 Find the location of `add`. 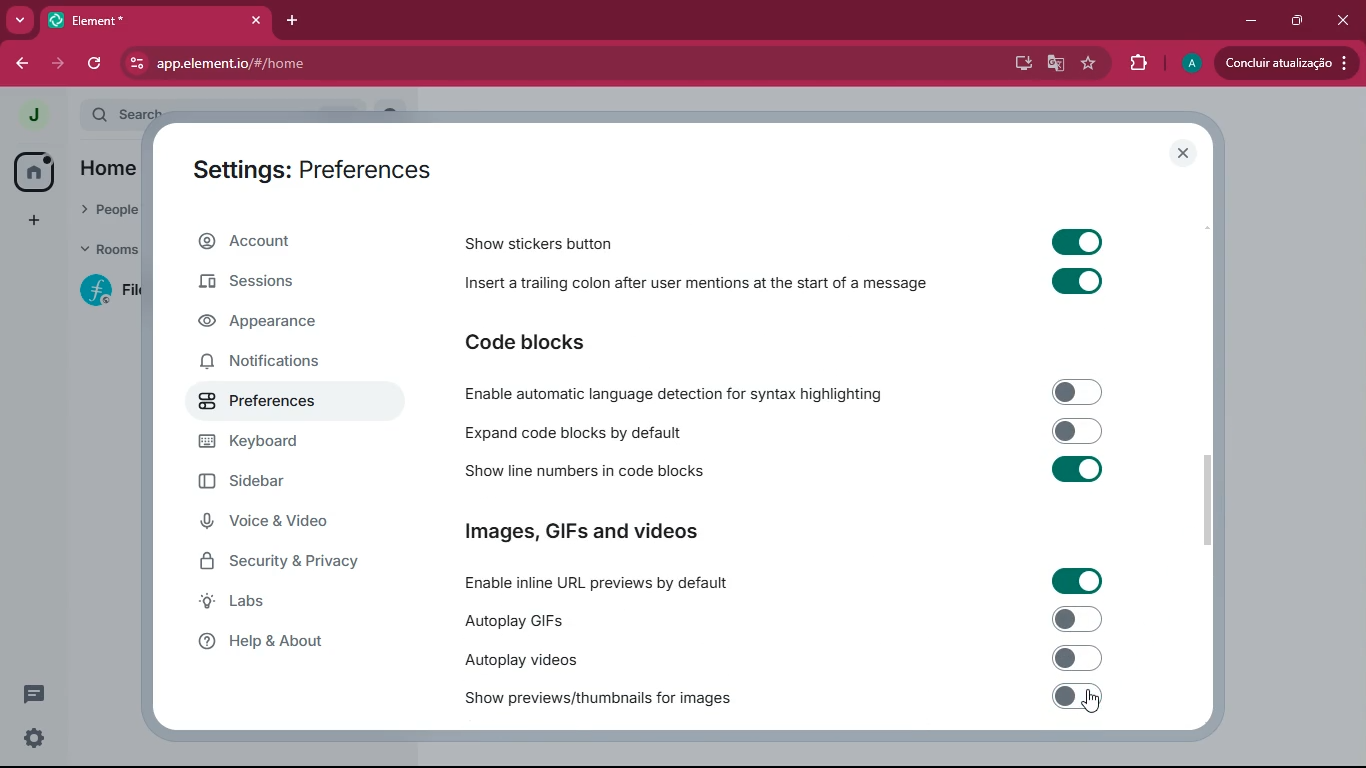

add is located at coordinates (37, 221).